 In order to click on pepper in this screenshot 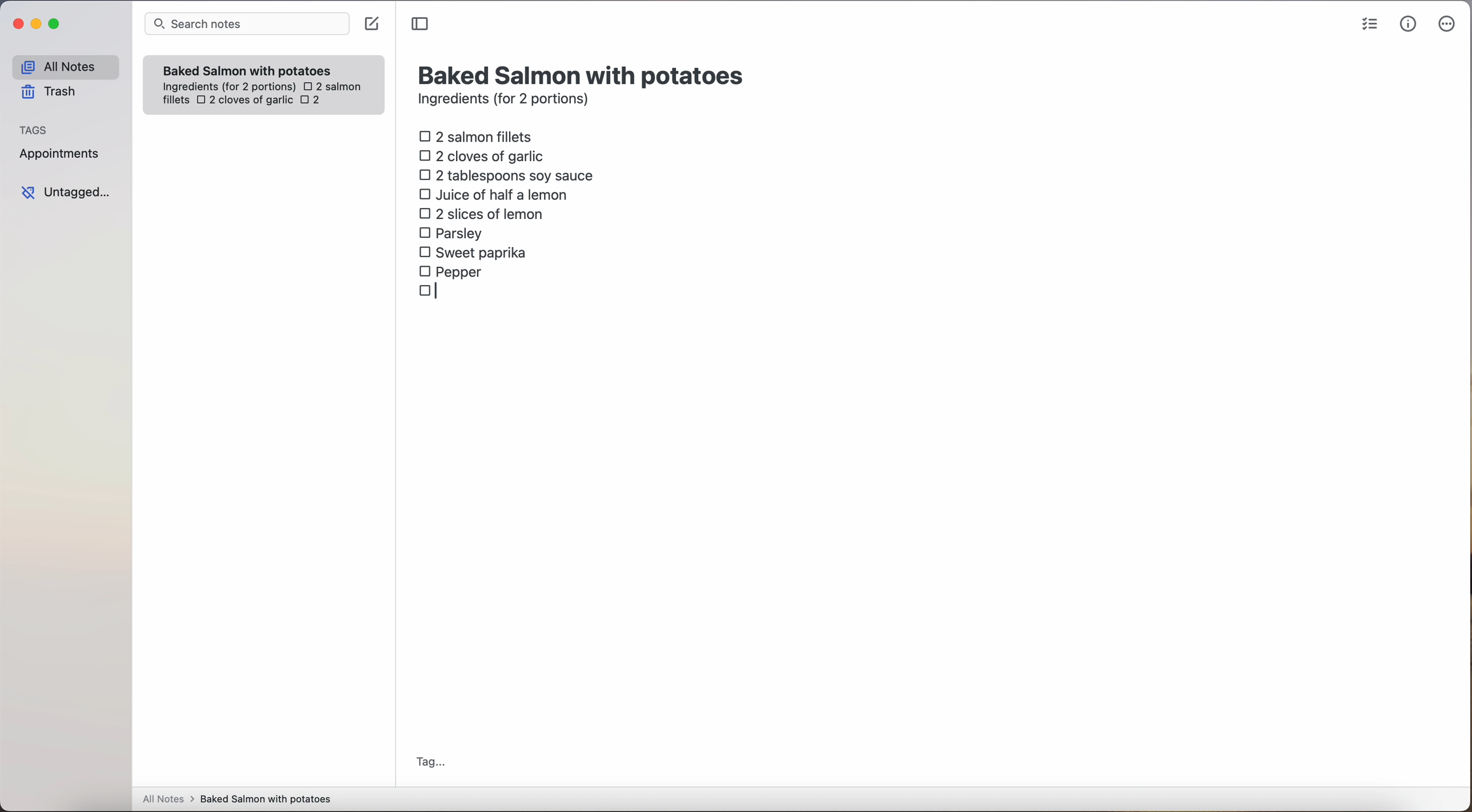, I will do `click(453, 271)`.